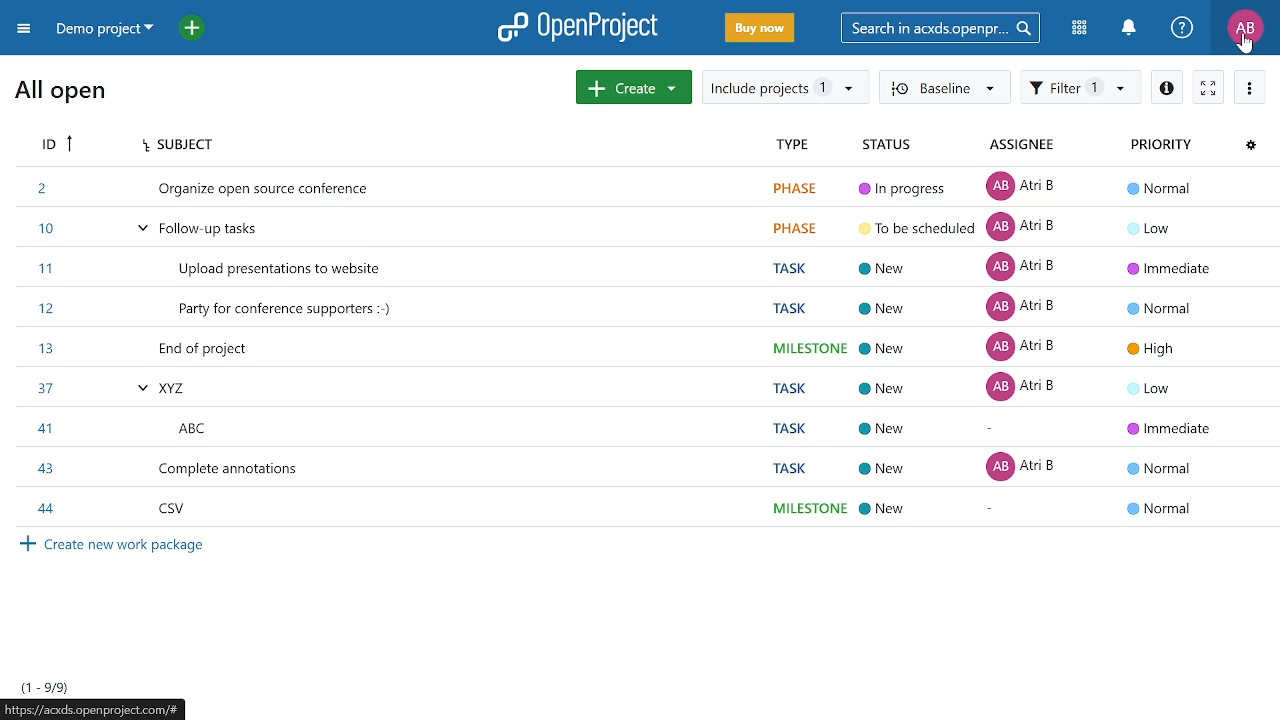  Describe the element at coordinates (1252, 87) in the screenshot. I see `More actions` at that location.